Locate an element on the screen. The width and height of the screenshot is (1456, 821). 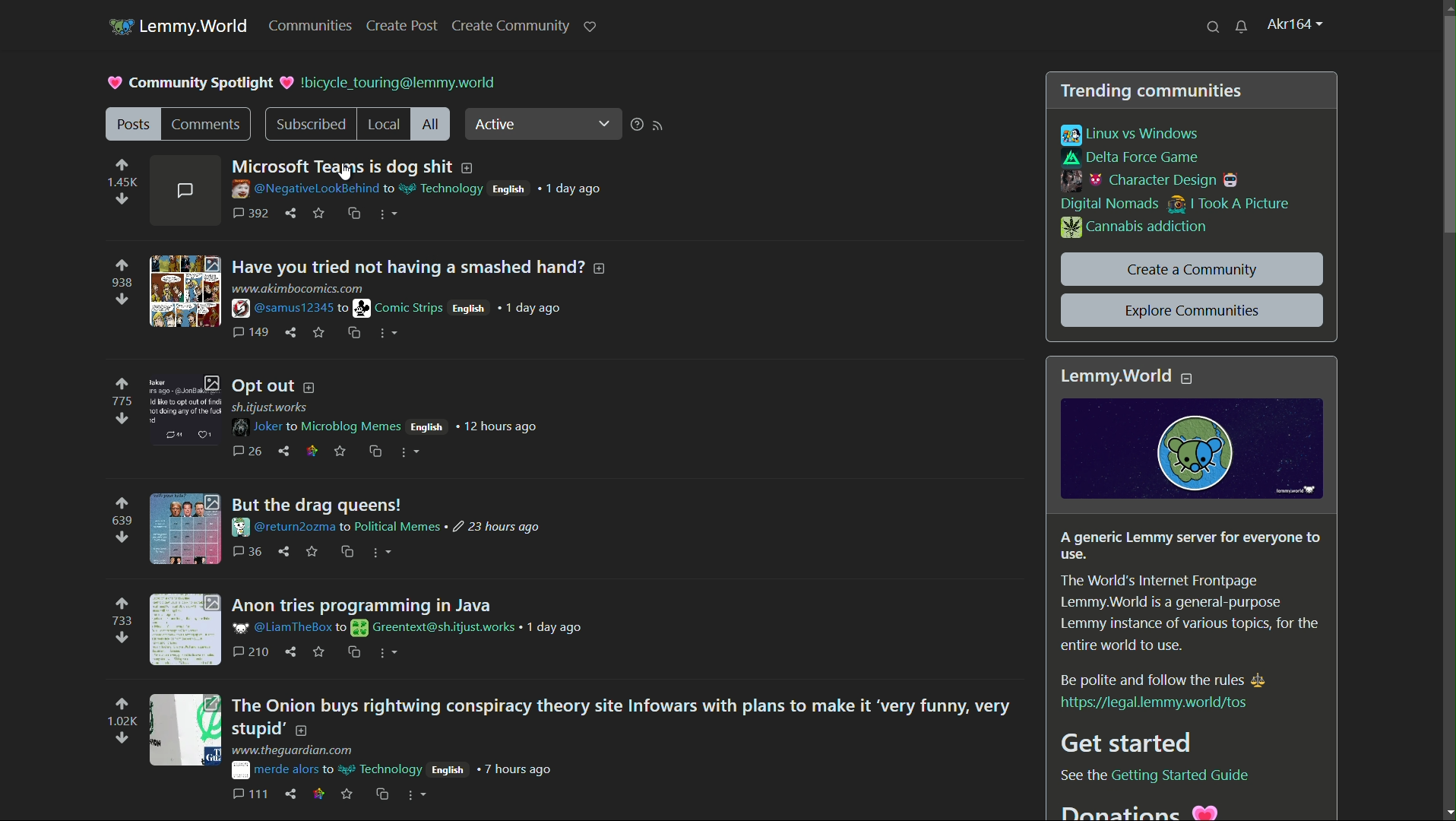
cs is located at coordinates (374, 450).